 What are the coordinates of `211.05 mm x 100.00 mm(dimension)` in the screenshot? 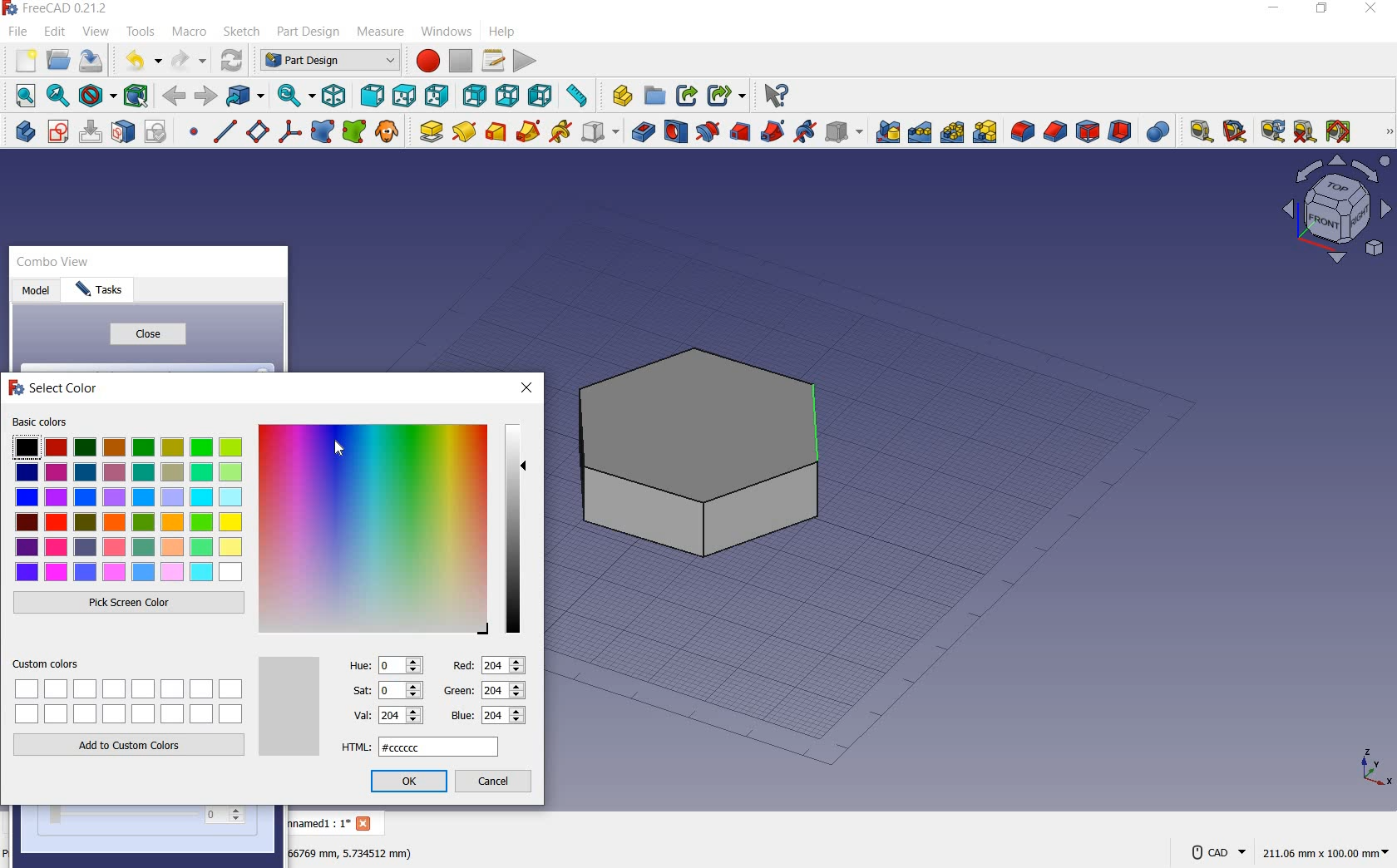 It's located at (1325, 855).